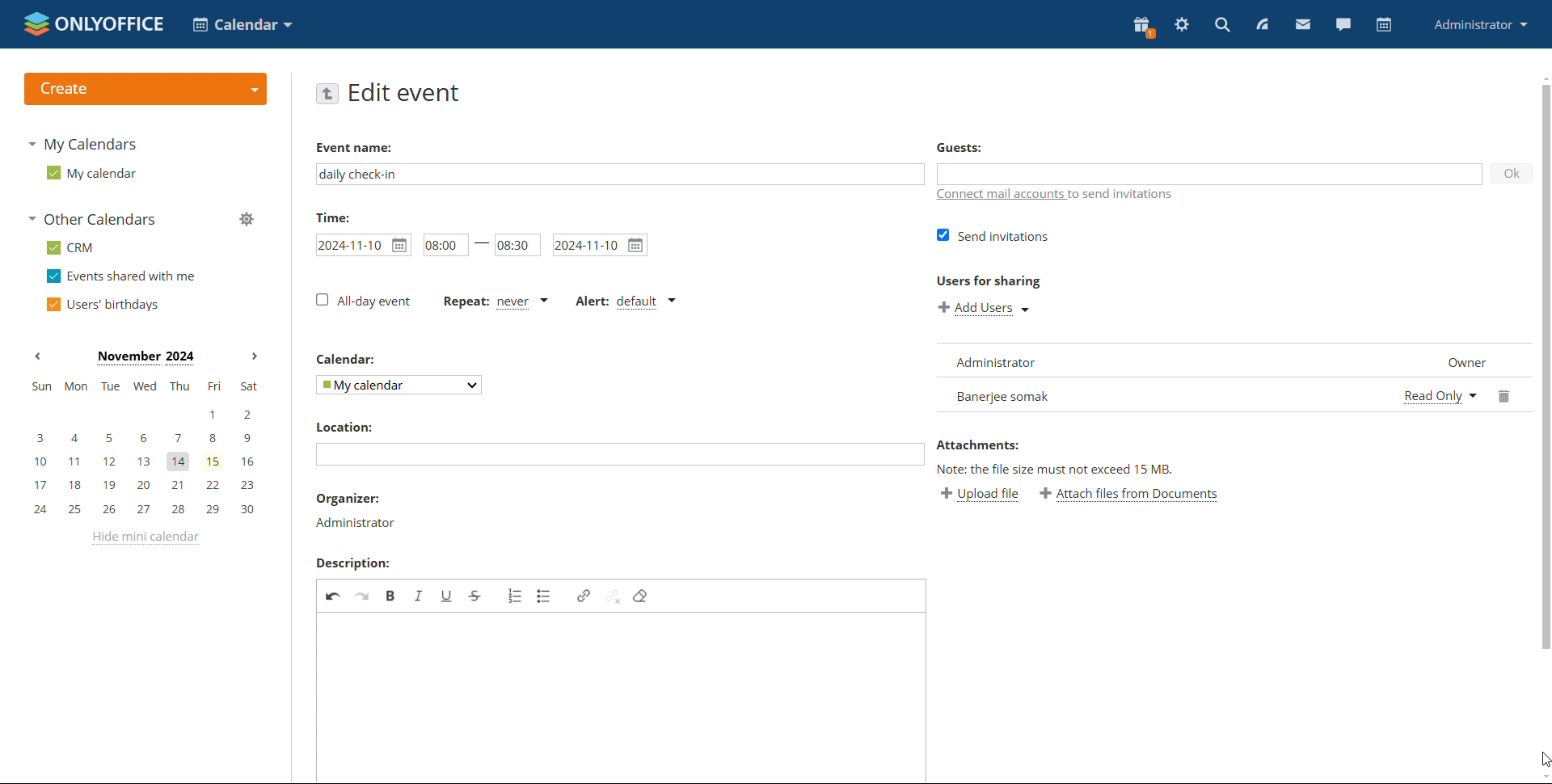 The width and height of the screenshot is (1552, 784). I want to click on organizer:, so click(349, 501).